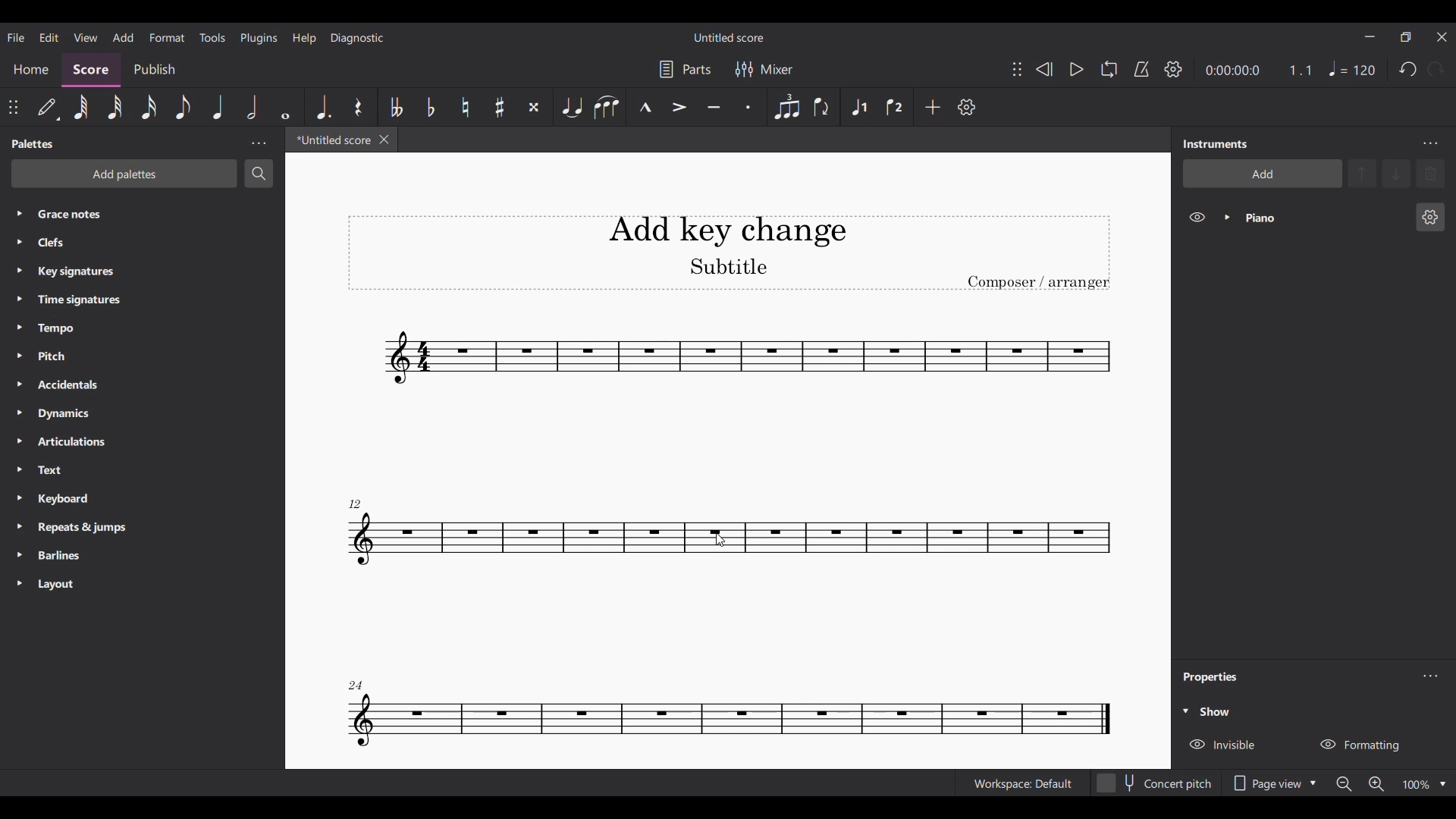 The width and height of the screenshot is (1456, 819). I want to click on Format menu, so click(168, 37).